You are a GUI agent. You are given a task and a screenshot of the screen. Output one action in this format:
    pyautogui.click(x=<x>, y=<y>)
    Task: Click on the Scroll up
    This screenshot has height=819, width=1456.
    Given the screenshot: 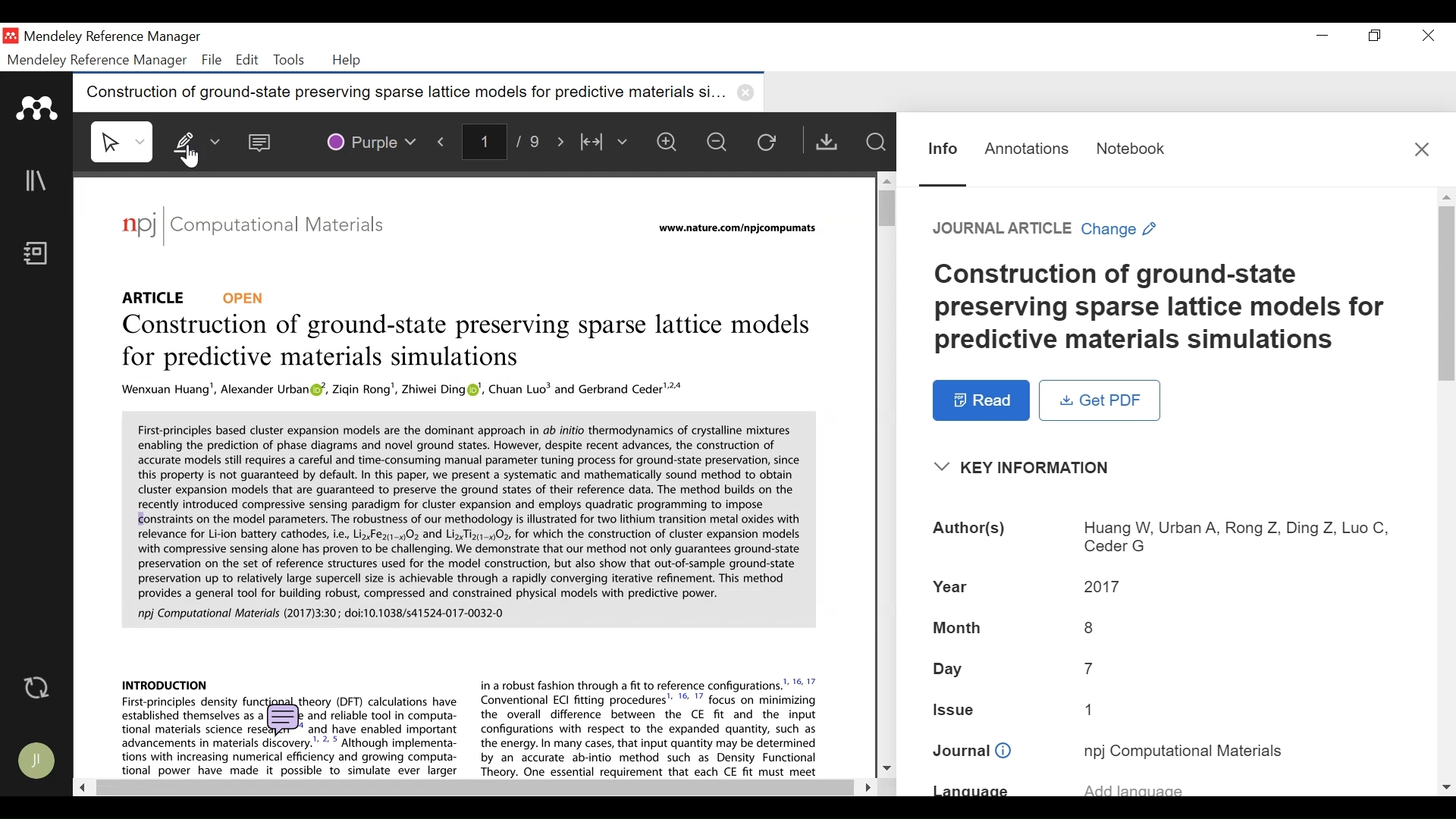 What is the action you would take?
    pyautogui.click(x=885, y=180)
    